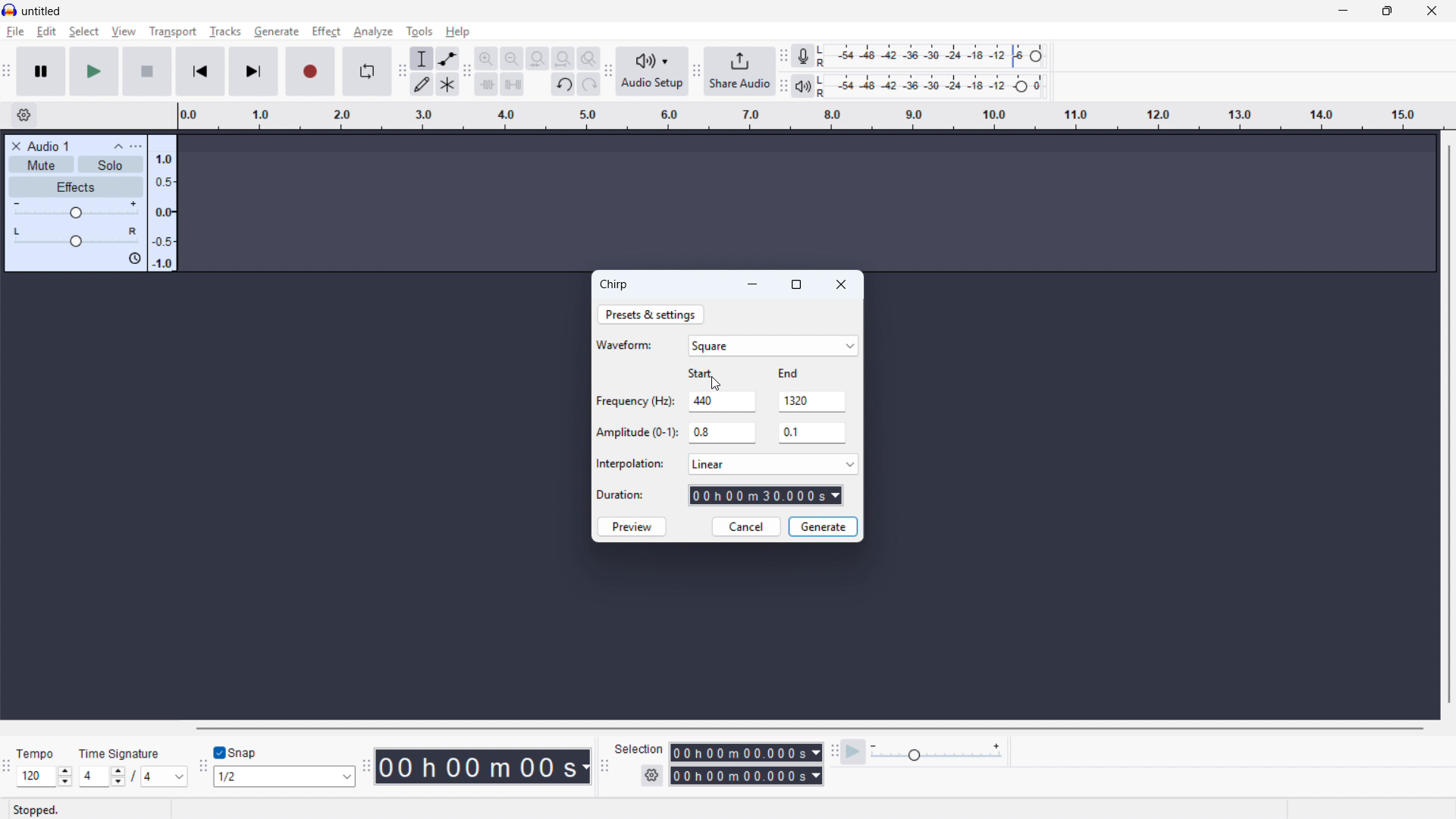 The image size is (1456, 819). What do you see at coordinates (723, 433) in the screenshot?
I see `Starting amplitude ` at bounding box center [723, 433].